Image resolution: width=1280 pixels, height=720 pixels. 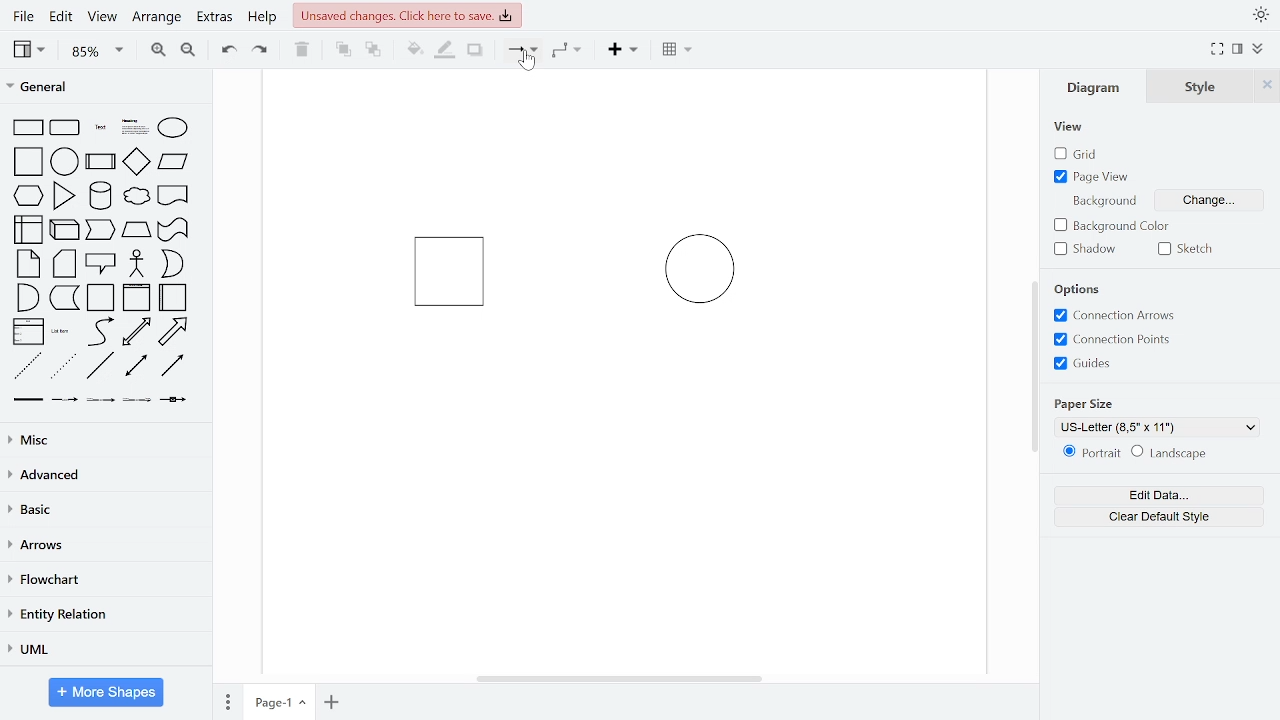 I want to click on advanced, so click(x=102, y=474).